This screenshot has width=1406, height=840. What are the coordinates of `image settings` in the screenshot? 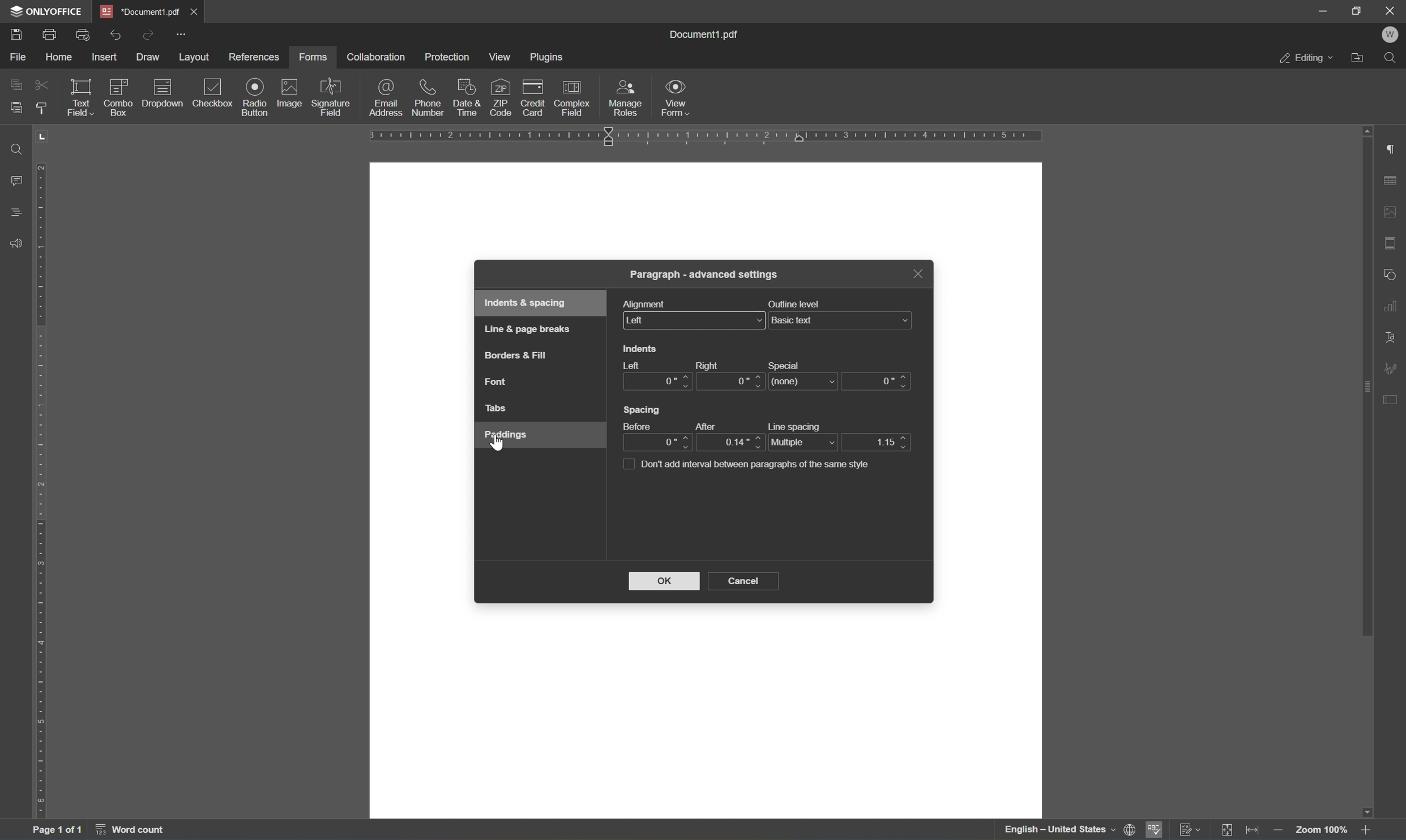 It's located at (1391, 214).